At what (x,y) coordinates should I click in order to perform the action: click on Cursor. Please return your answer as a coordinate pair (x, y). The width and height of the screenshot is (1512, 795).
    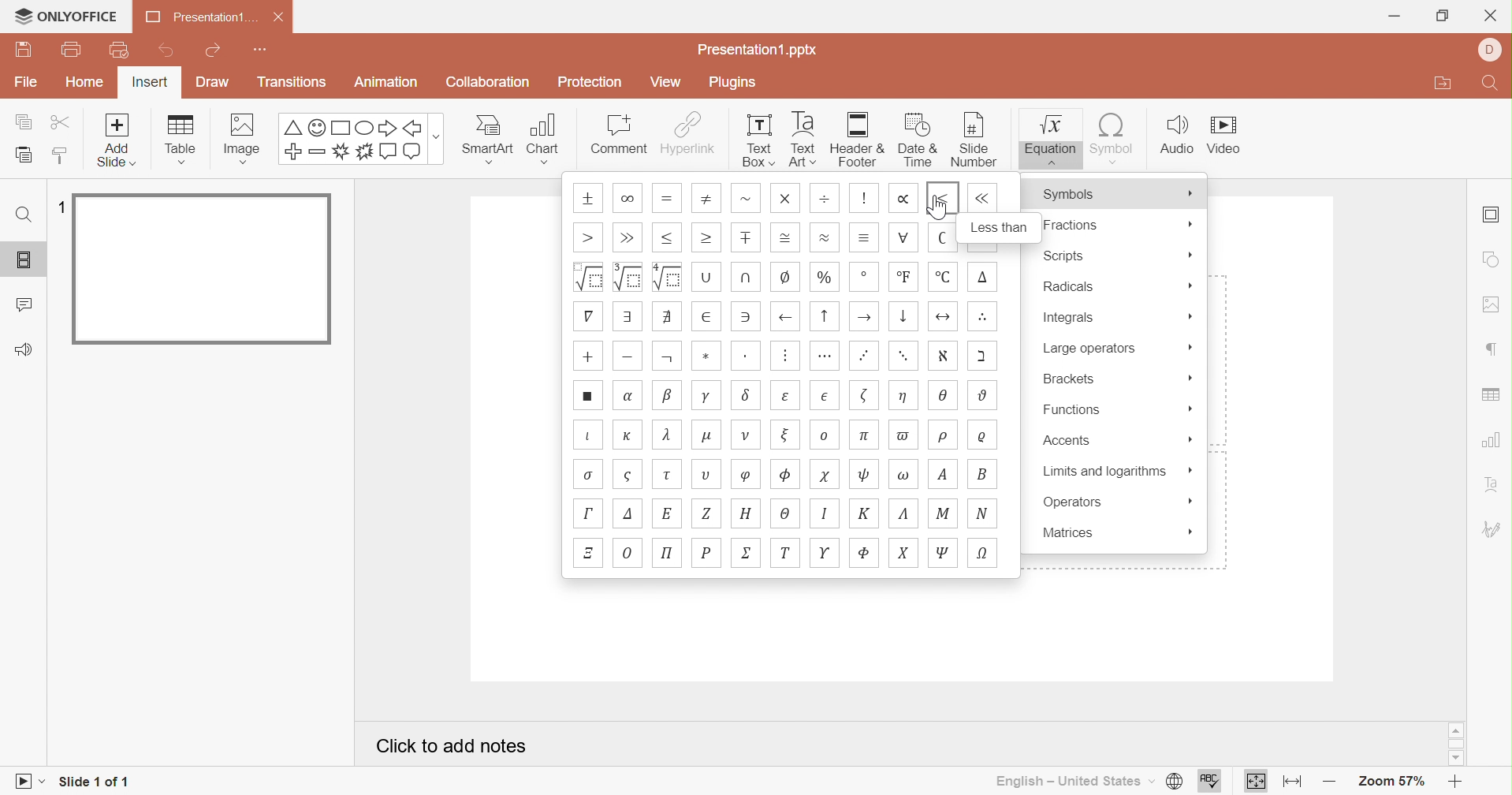
    Looking at the image, I should click on (938, 208).